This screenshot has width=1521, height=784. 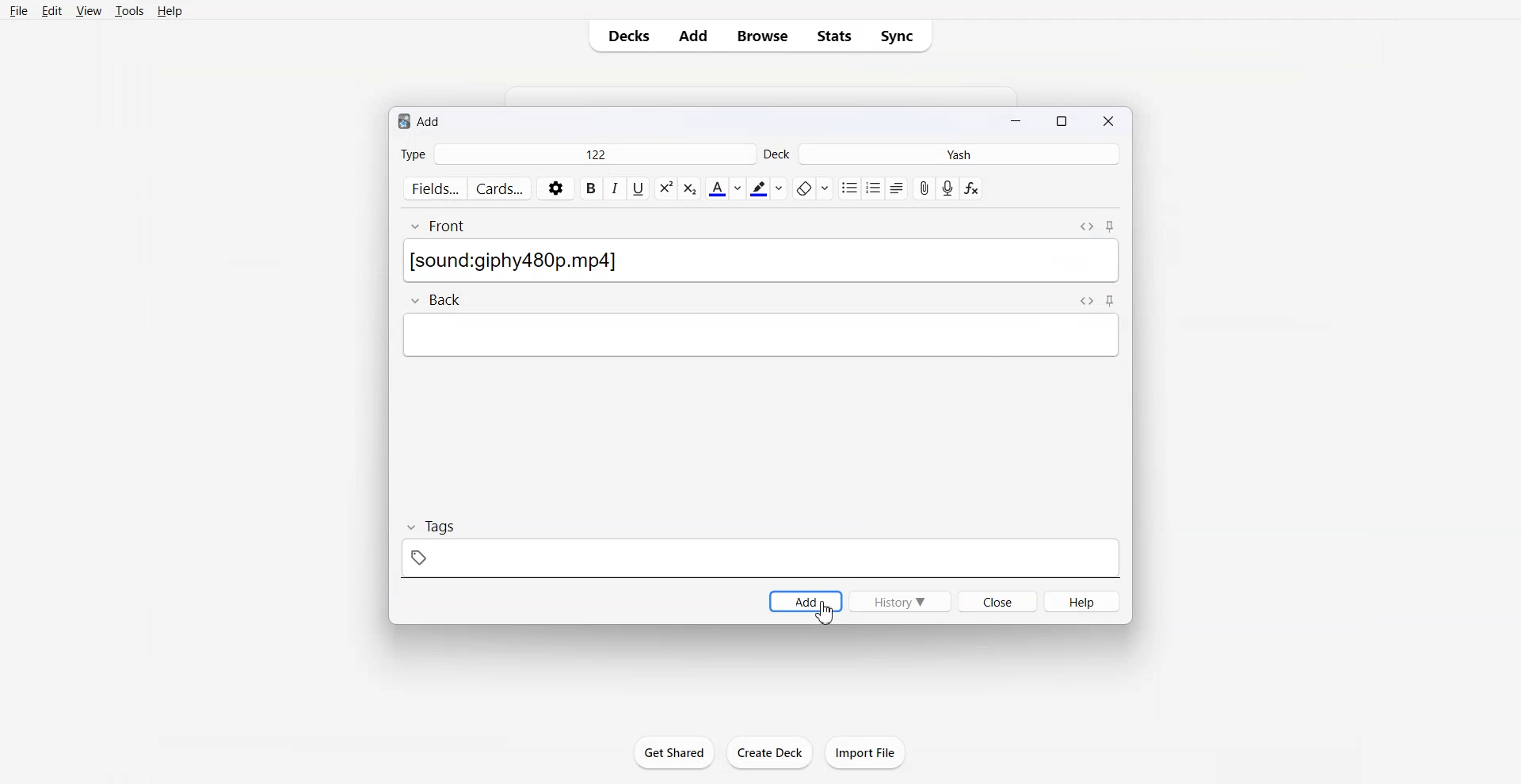 I want to click on Toggle Sticky, so click(x=1111, y=301).